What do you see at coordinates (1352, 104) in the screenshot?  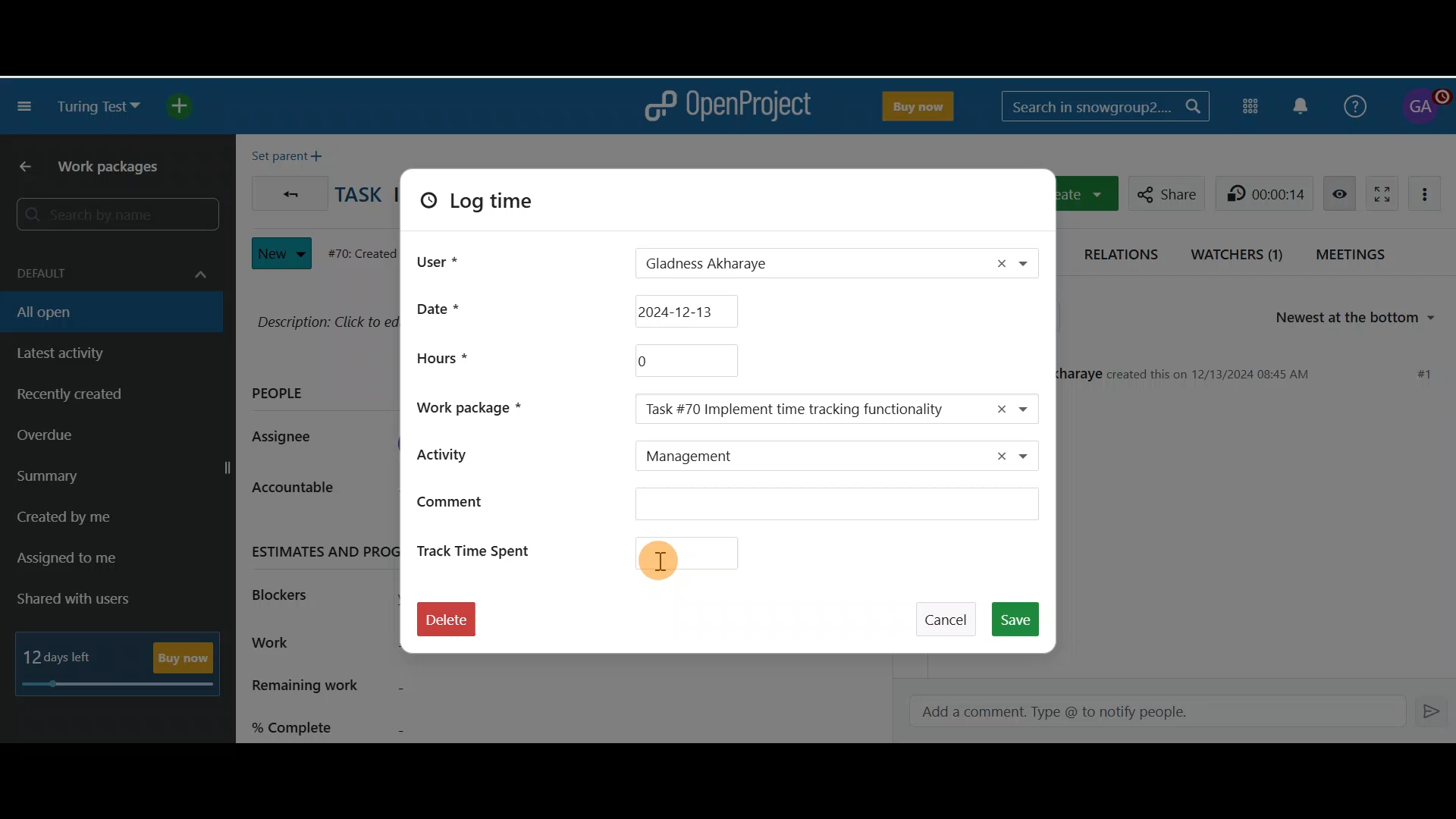 I see `Help` at bounding box center [1352, 104].